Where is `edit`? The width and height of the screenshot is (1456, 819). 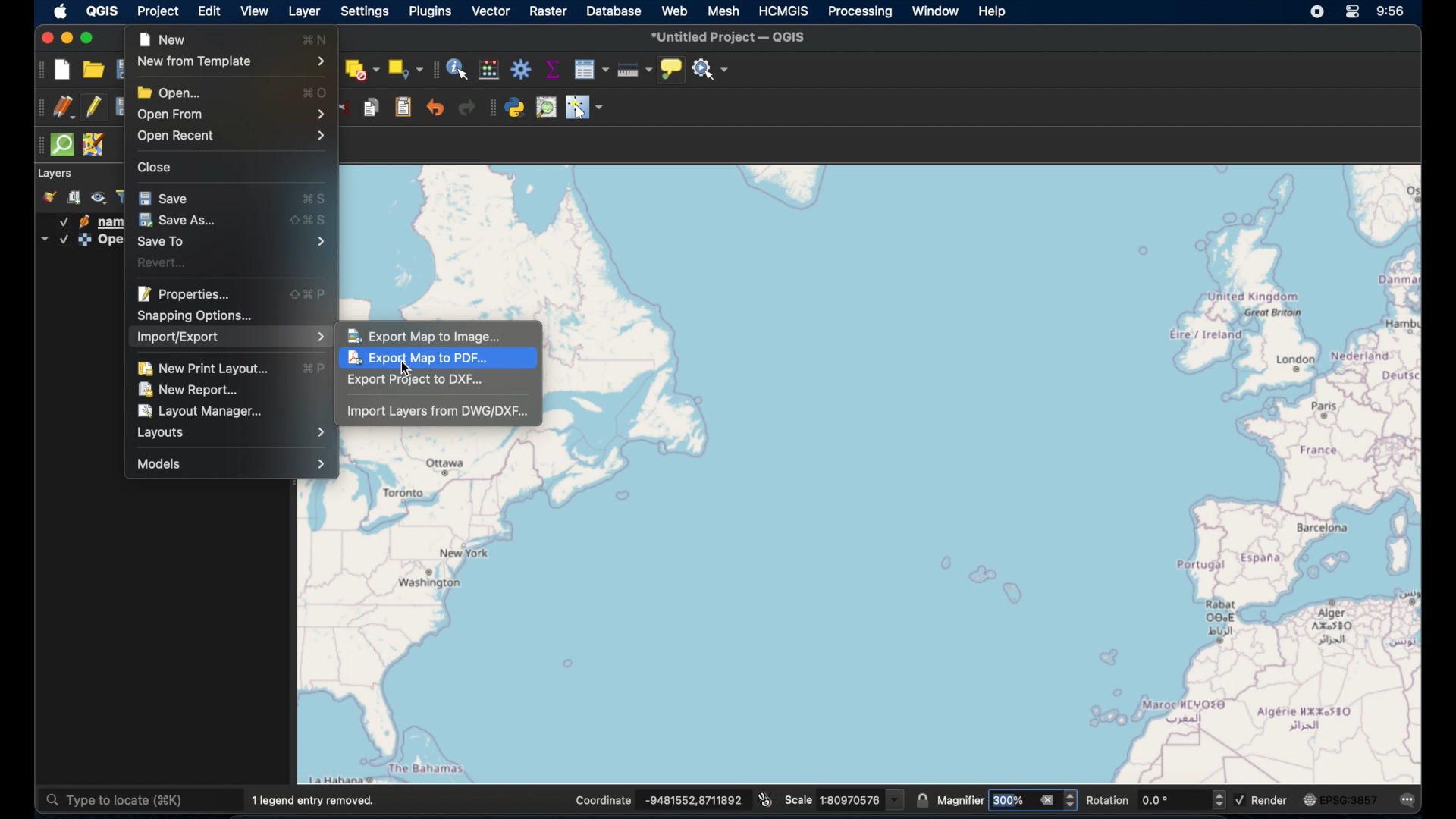
edit is located at coordinates (210, 11).